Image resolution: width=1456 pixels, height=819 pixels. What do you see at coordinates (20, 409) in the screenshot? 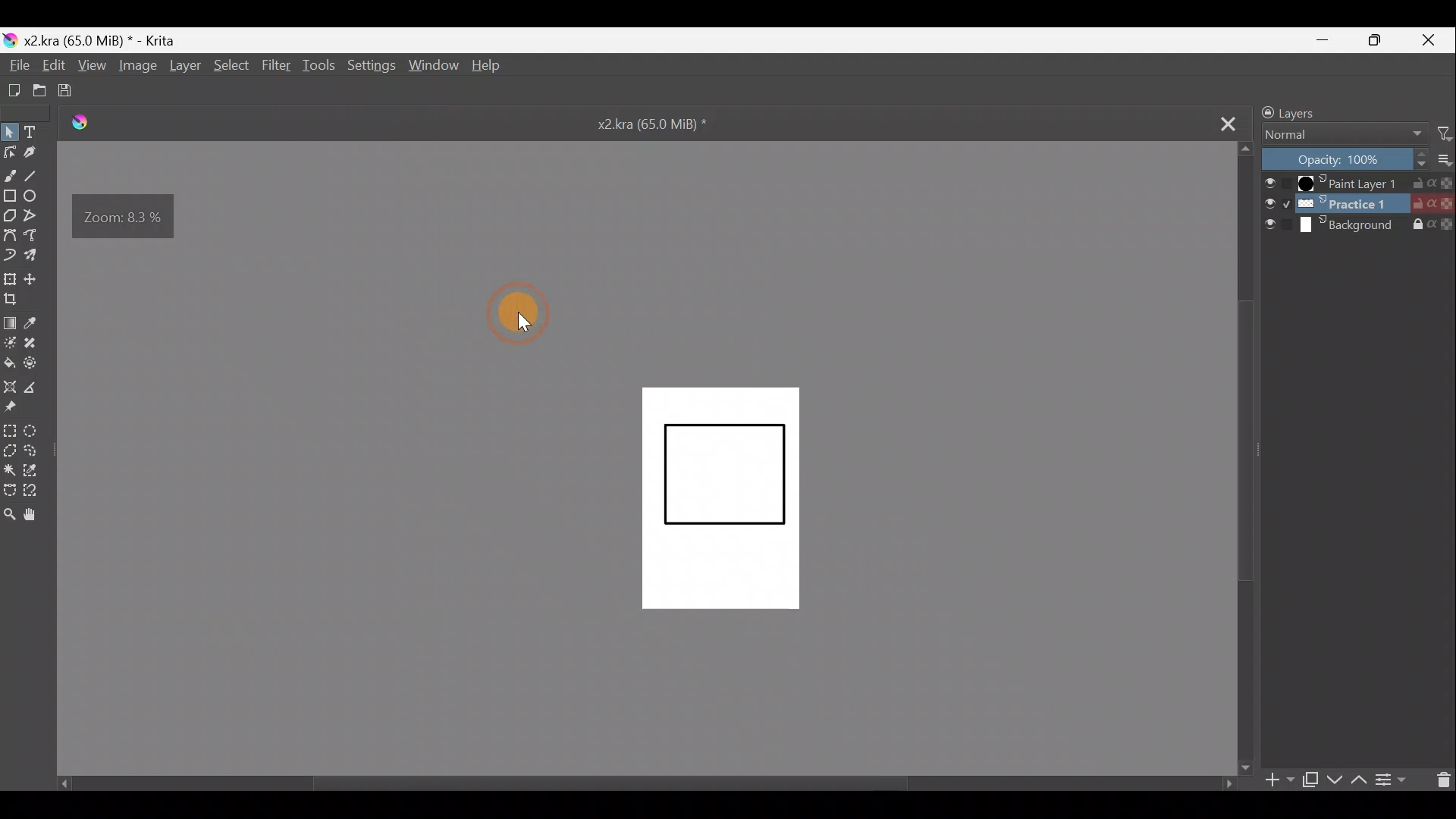
I see `Reference images tool` at bounding box center [20, 409].